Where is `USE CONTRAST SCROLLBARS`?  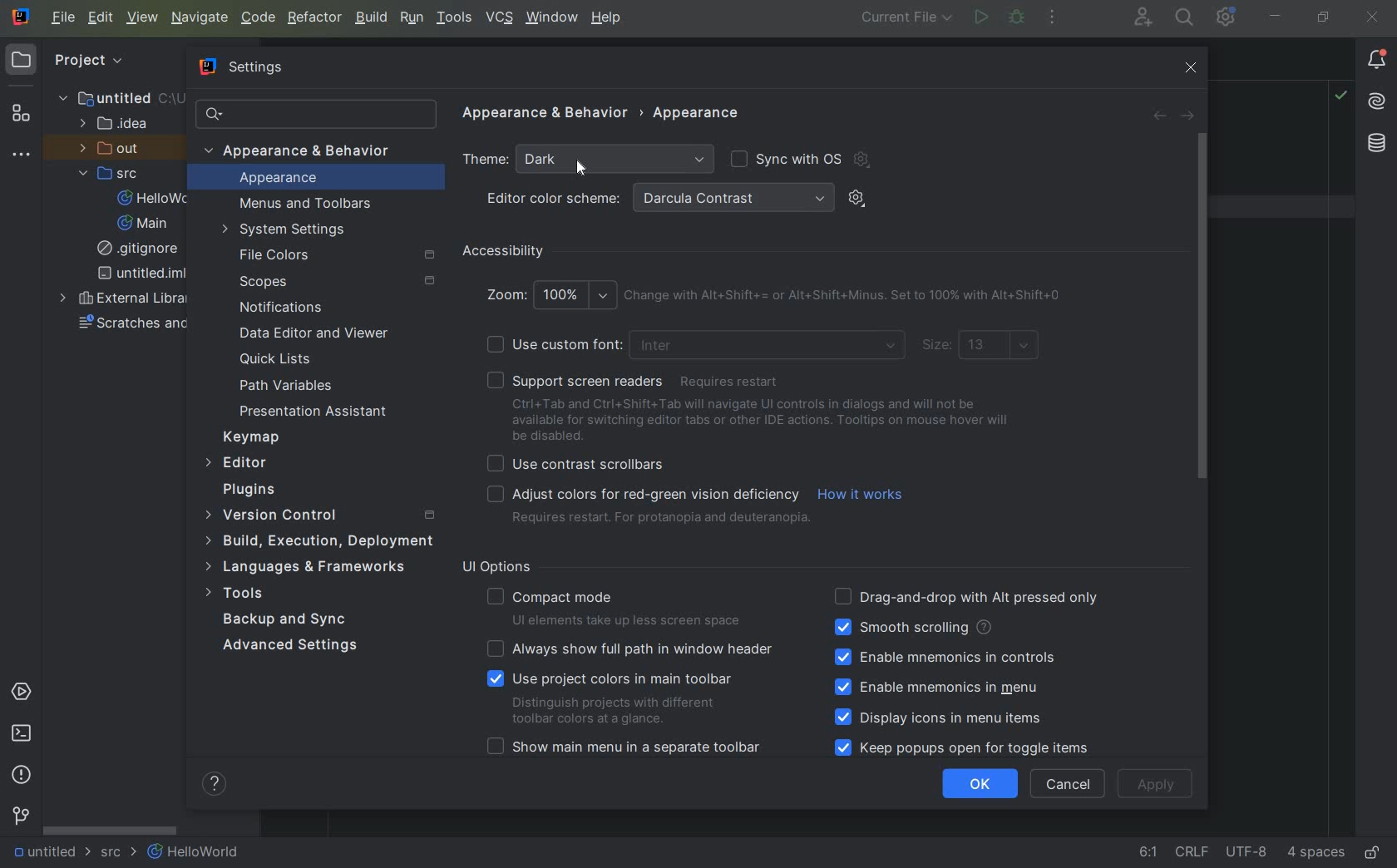 USE CONTRAST SCROLLBARS is located at coordinates (581, 462).